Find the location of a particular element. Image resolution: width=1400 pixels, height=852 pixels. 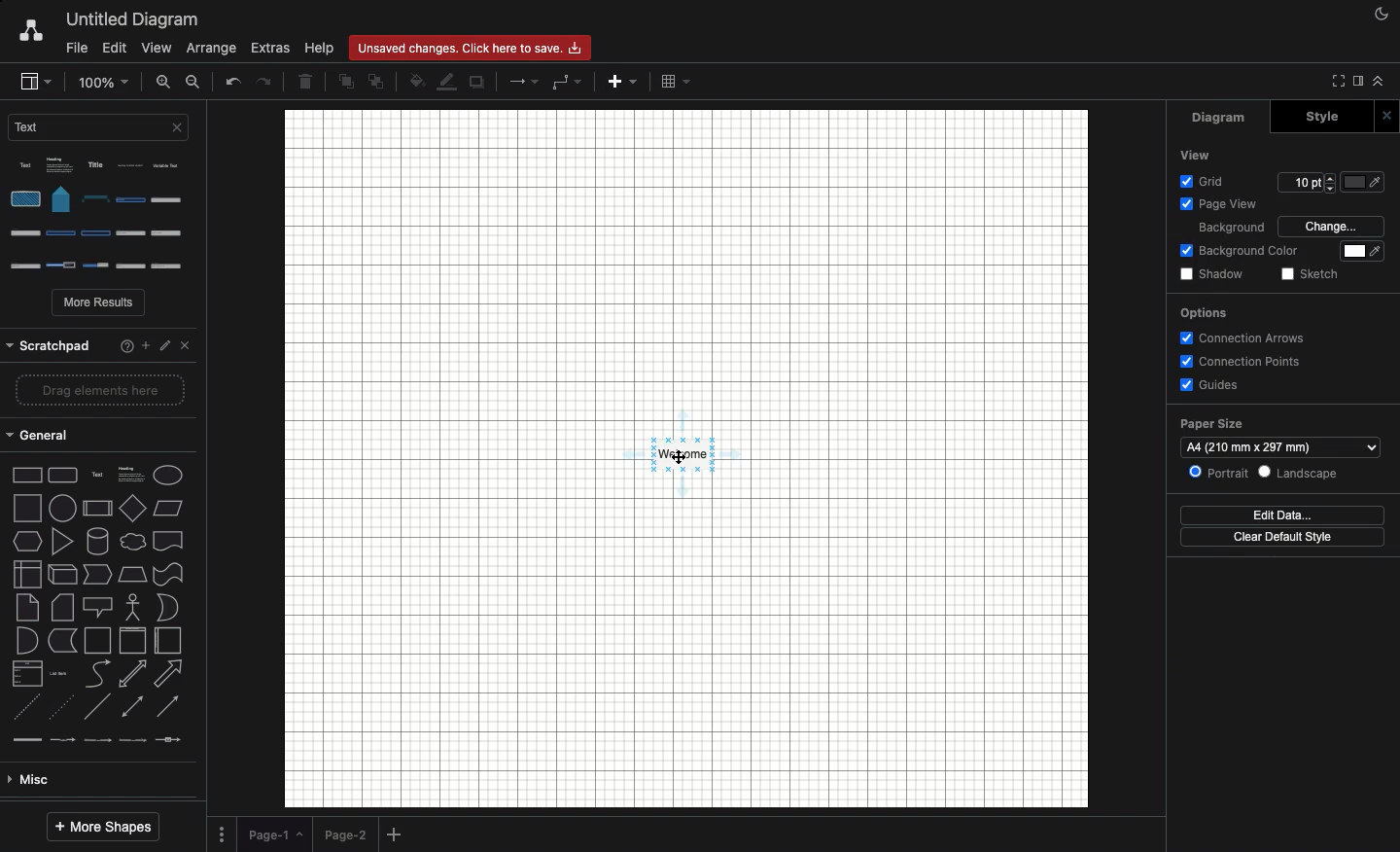

shape is located at coordinates (101, 502).